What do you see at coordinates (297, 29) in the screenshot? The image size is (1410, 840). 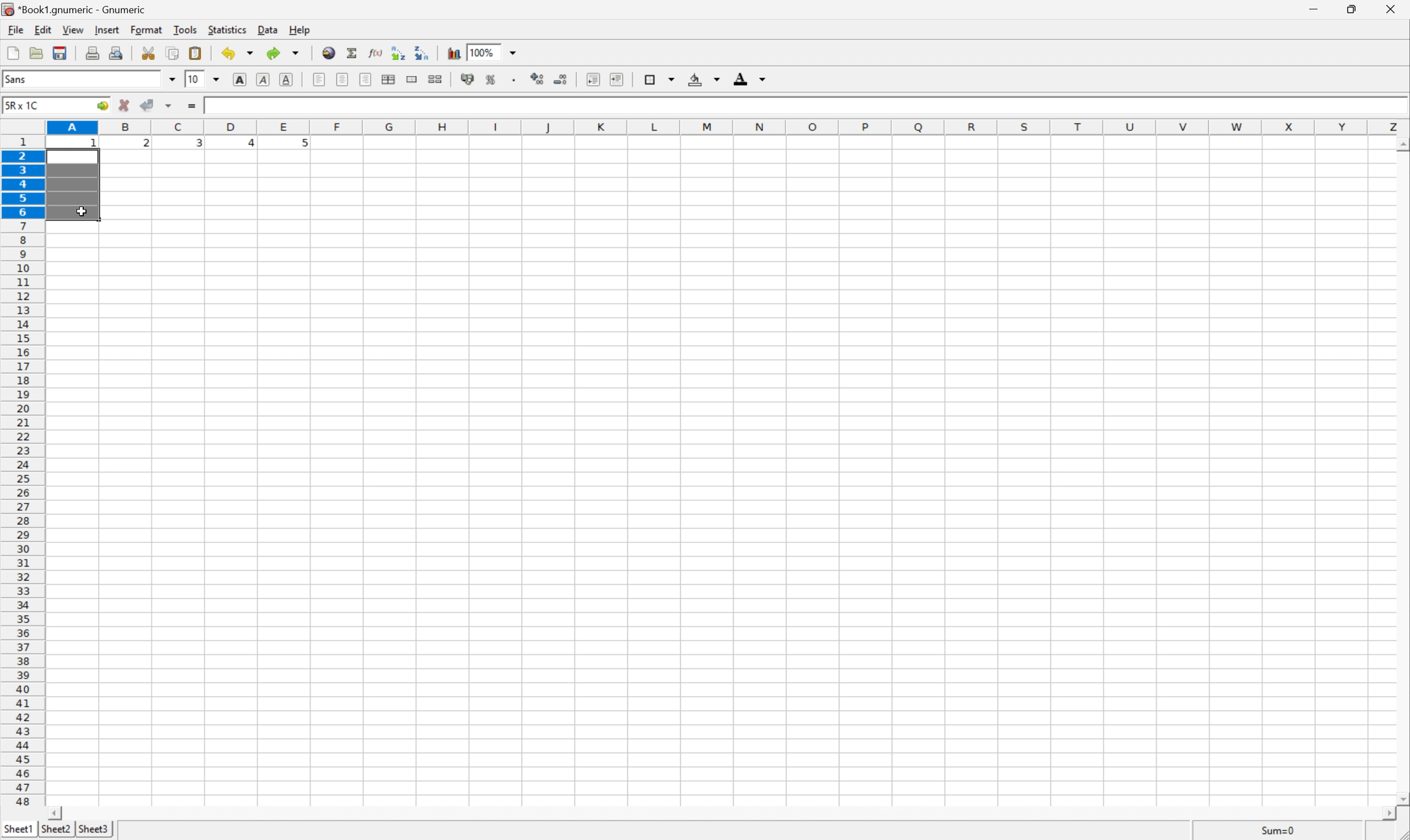 I see `help` at bounding box center [297, 29].